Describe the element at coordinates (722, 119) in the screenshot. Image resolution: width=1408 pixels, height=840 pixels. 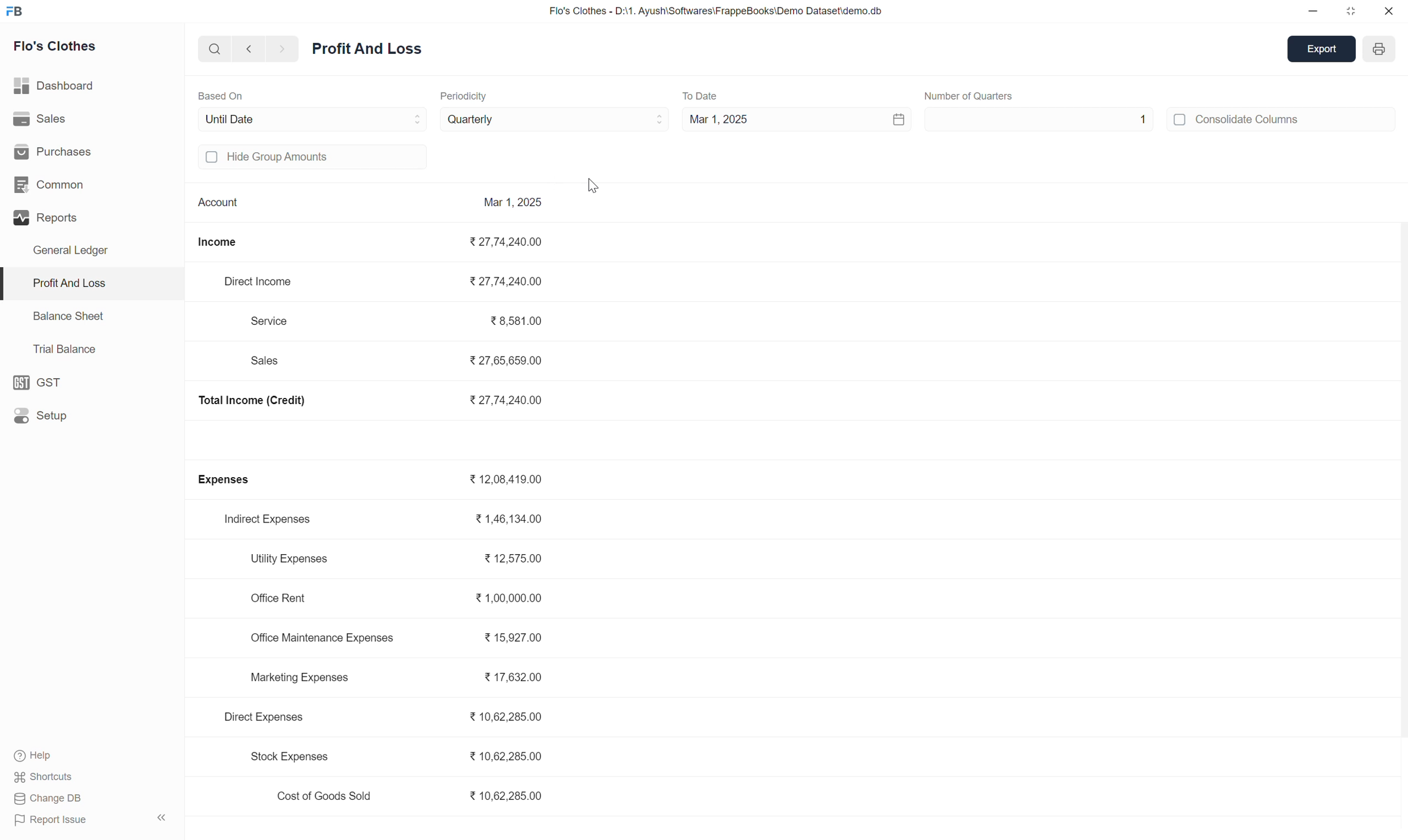
I see `Mar 1, 2025` at that location.